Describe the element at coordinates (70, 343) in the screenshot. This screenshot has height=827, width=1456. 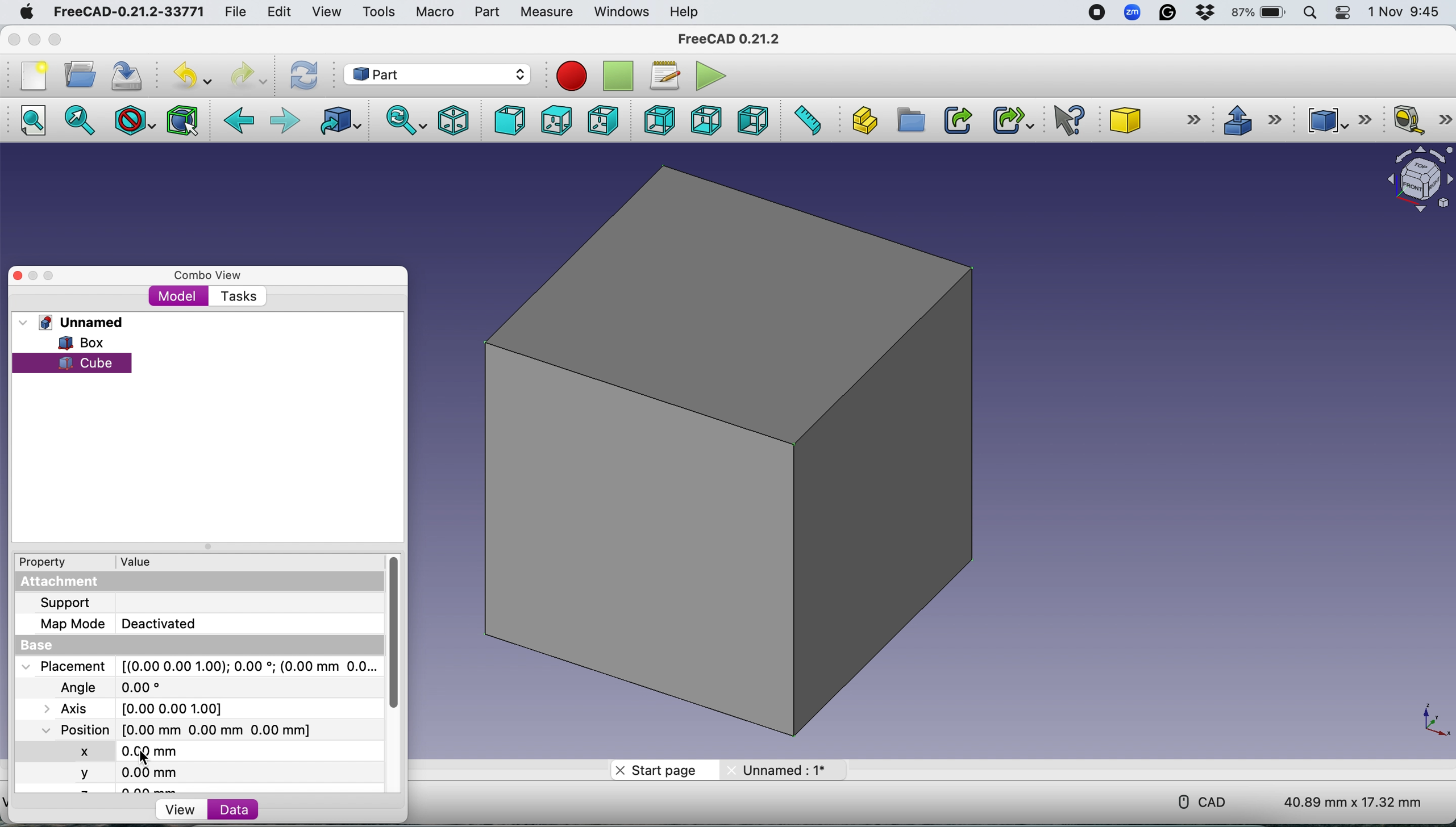
I see `Box` at that location.